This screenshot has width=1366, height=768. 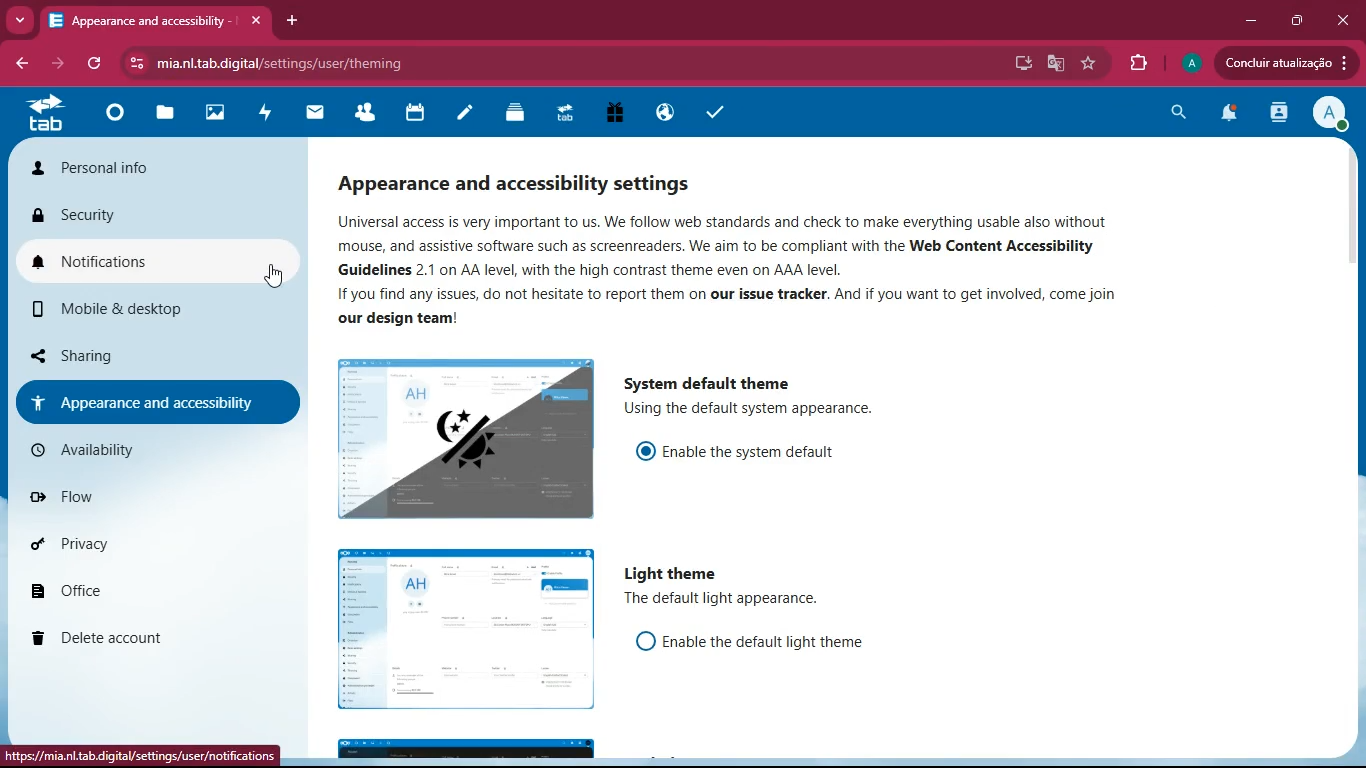 What do you see at coordinates (621, 114) in the screenshot?
I see `gift` at bounding box center [621, 114].